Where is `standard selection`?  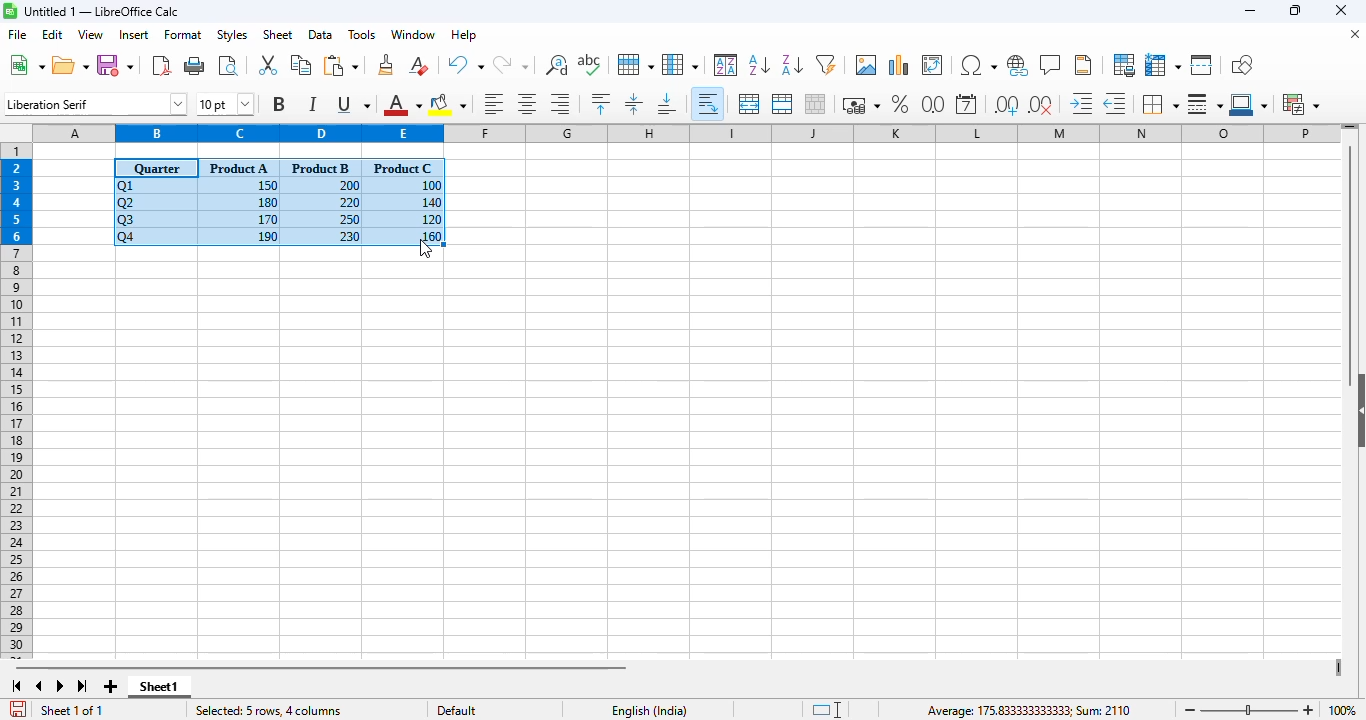 standard selection is located at coordinates (826, 710).